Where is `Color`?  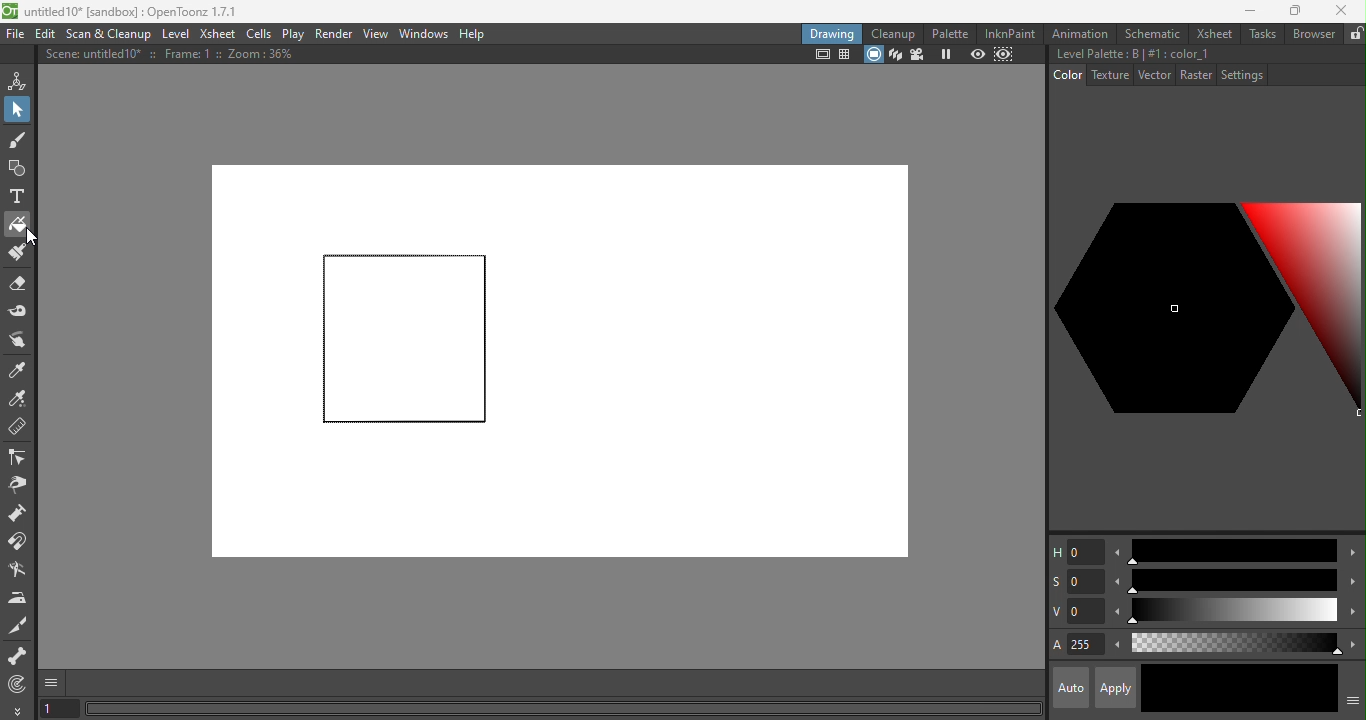
Color is located at coordinates (1068, 74).